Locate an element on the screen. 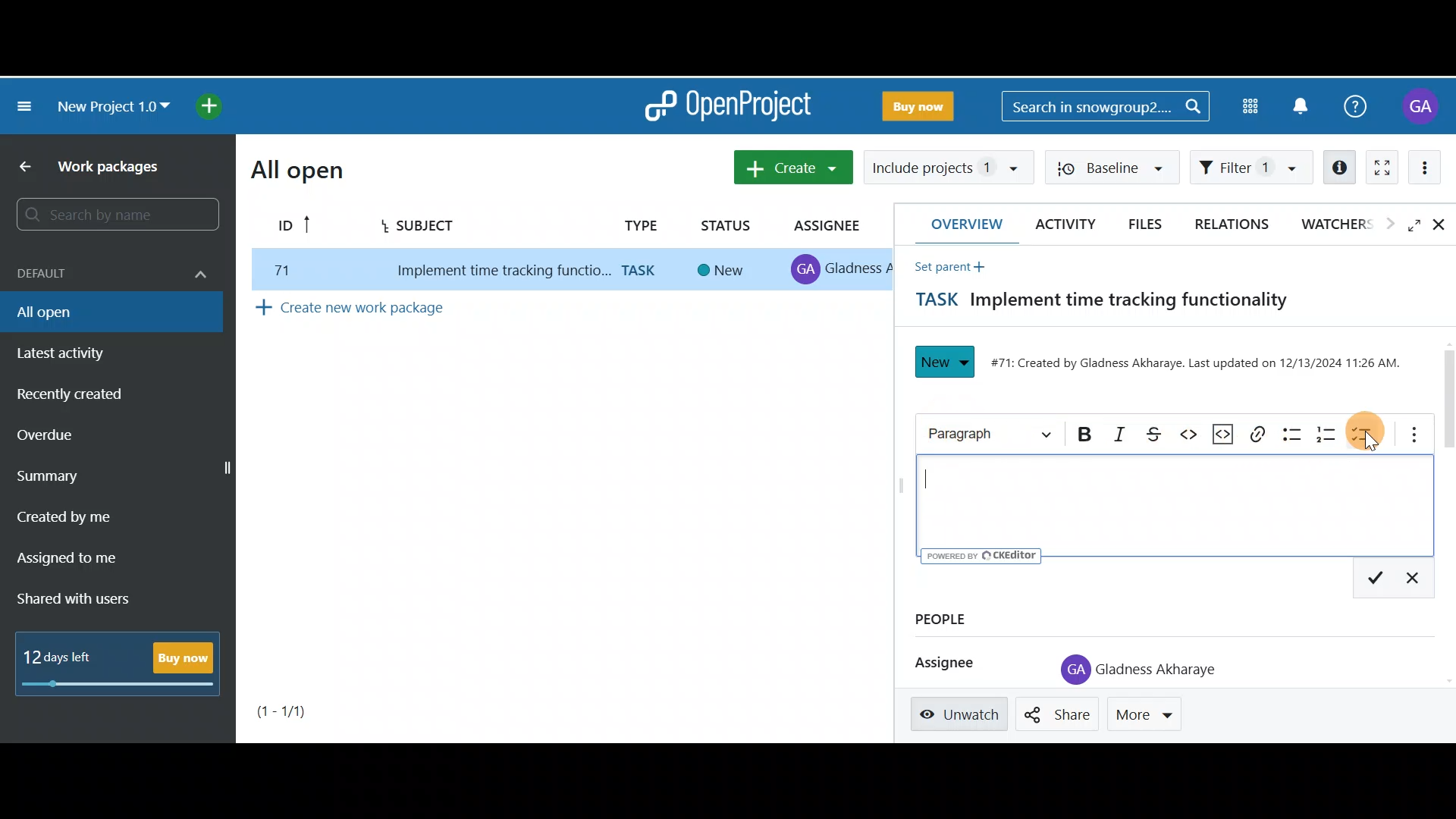  Modules is located at coordinates (1250, 106).